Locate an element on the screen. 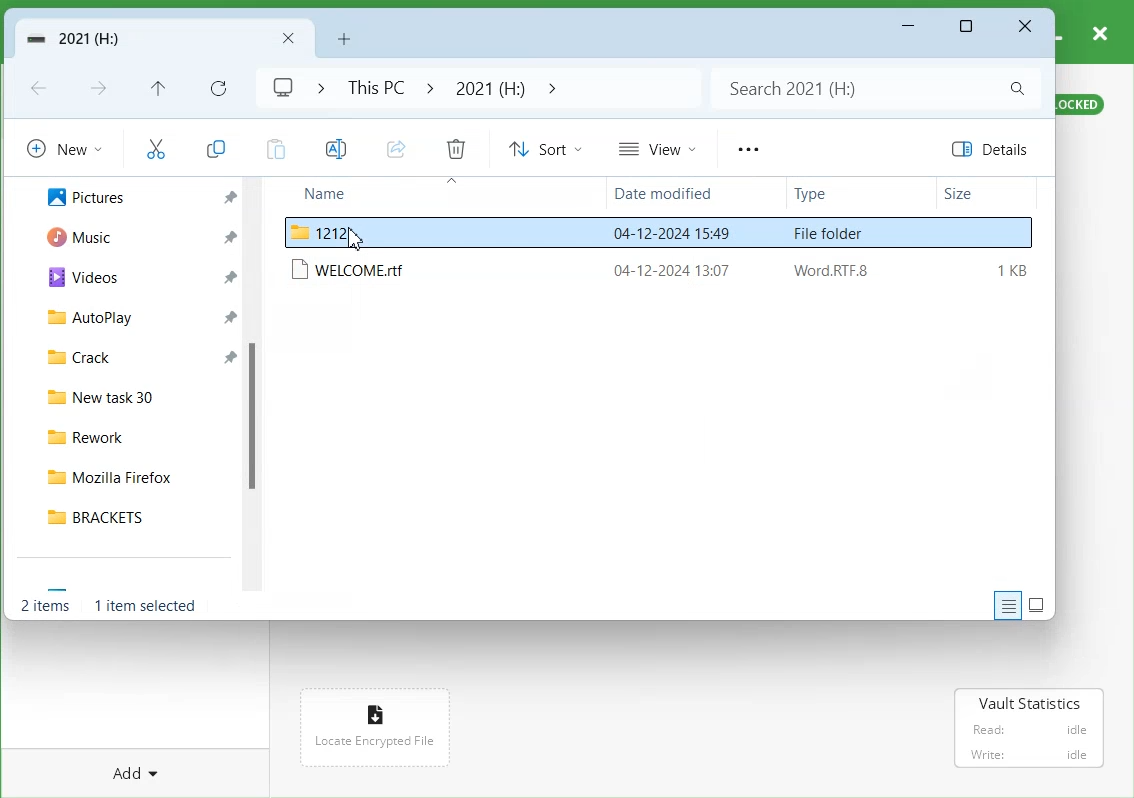 This screenshot has width=1134, height=798. Paste is located at coordinates (273, 147).